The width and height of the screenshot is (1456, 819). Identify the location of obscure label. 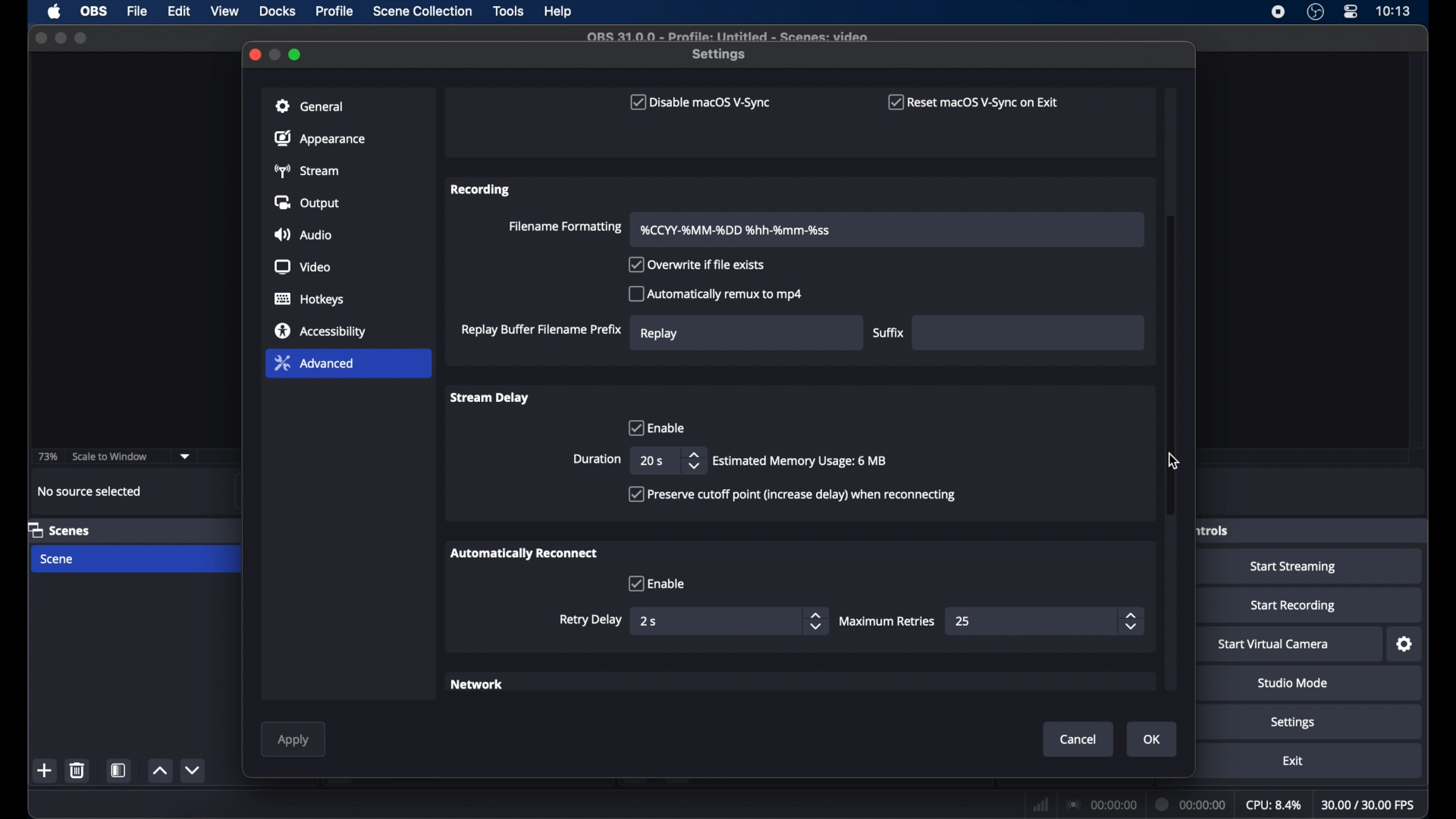
(1210, 529).